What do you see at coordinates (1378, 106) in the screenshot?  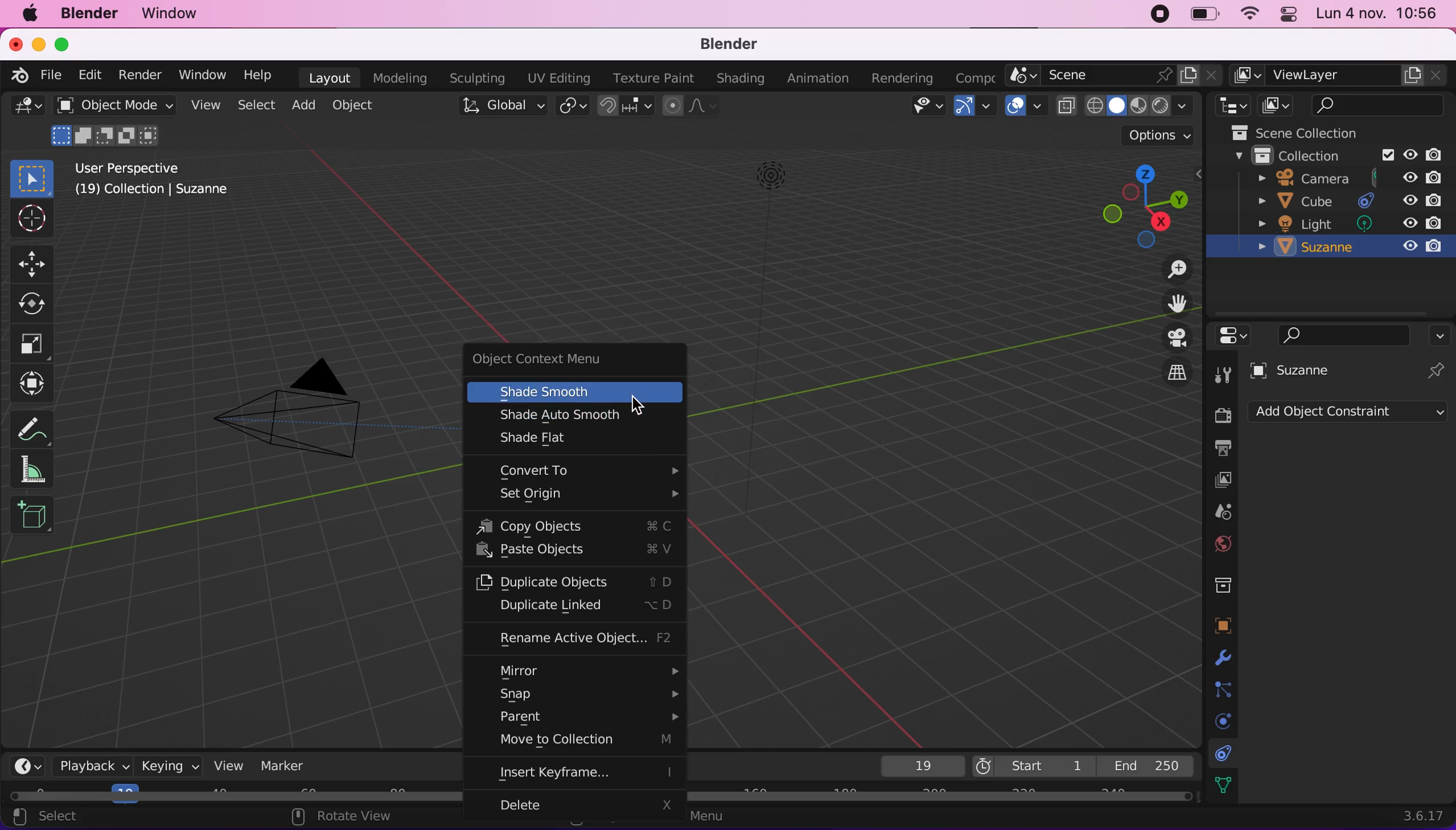 I see `search` at bounding box center [1378, 106].